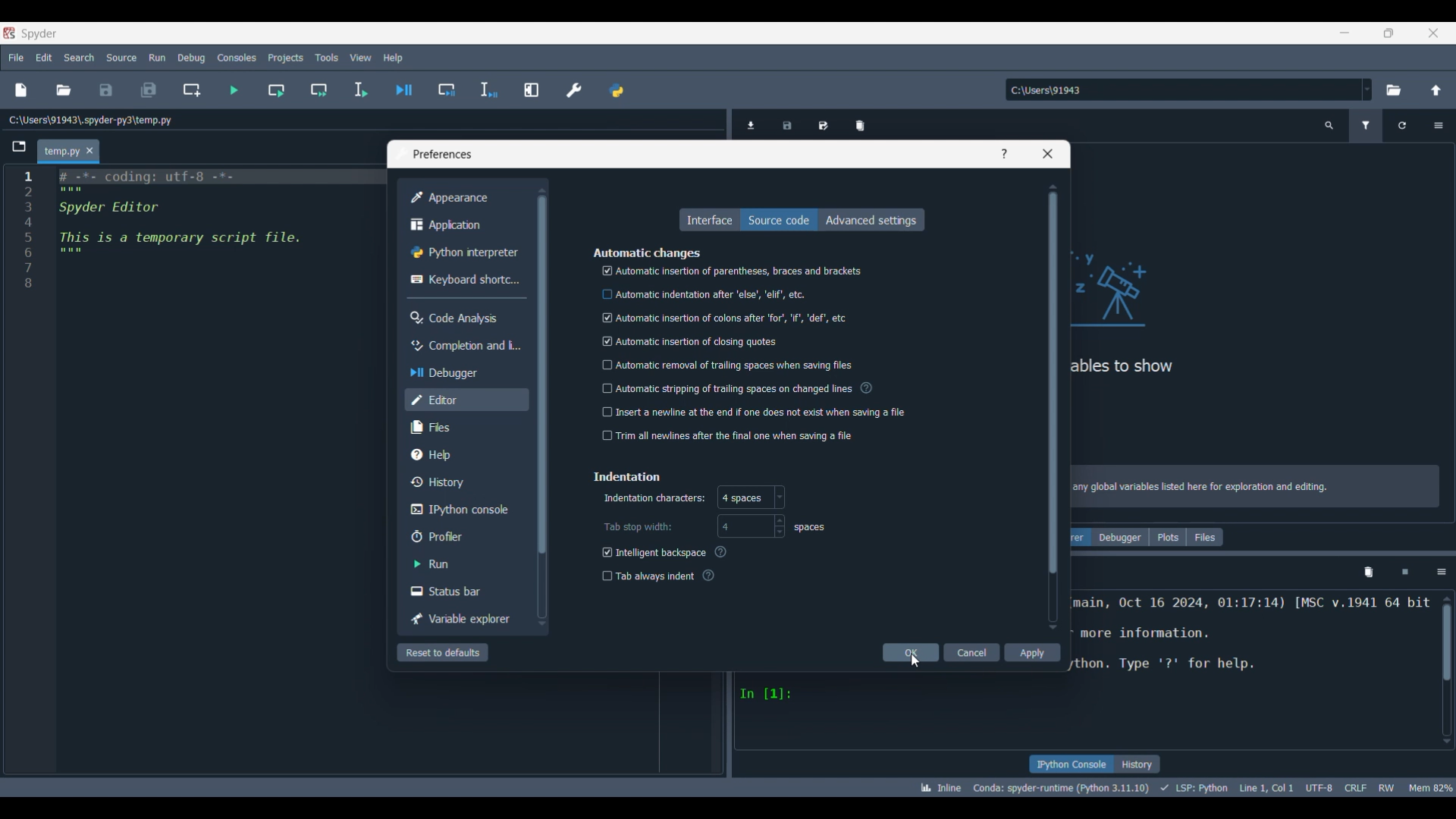 The width and height of the screenshot is (1456, 819). I want to click on Code details, so click(1253, 648).